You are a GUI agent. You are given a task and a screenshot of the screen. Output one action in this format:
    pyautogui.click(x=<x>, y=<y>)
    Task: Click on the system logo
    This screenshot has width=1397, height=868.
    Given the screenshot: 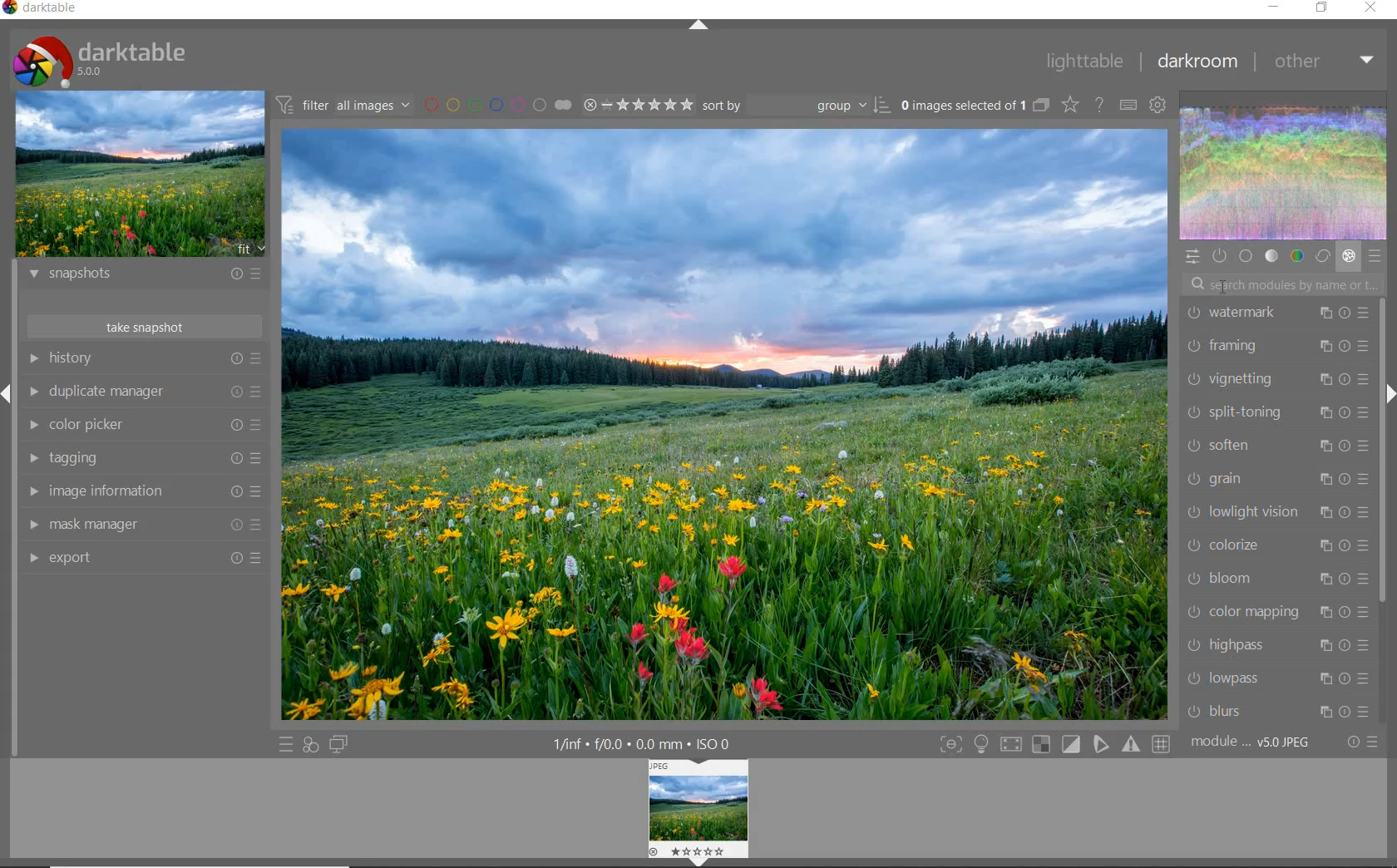 What is the action you would take?
    pyautogui.click(x=101, y=60)
    